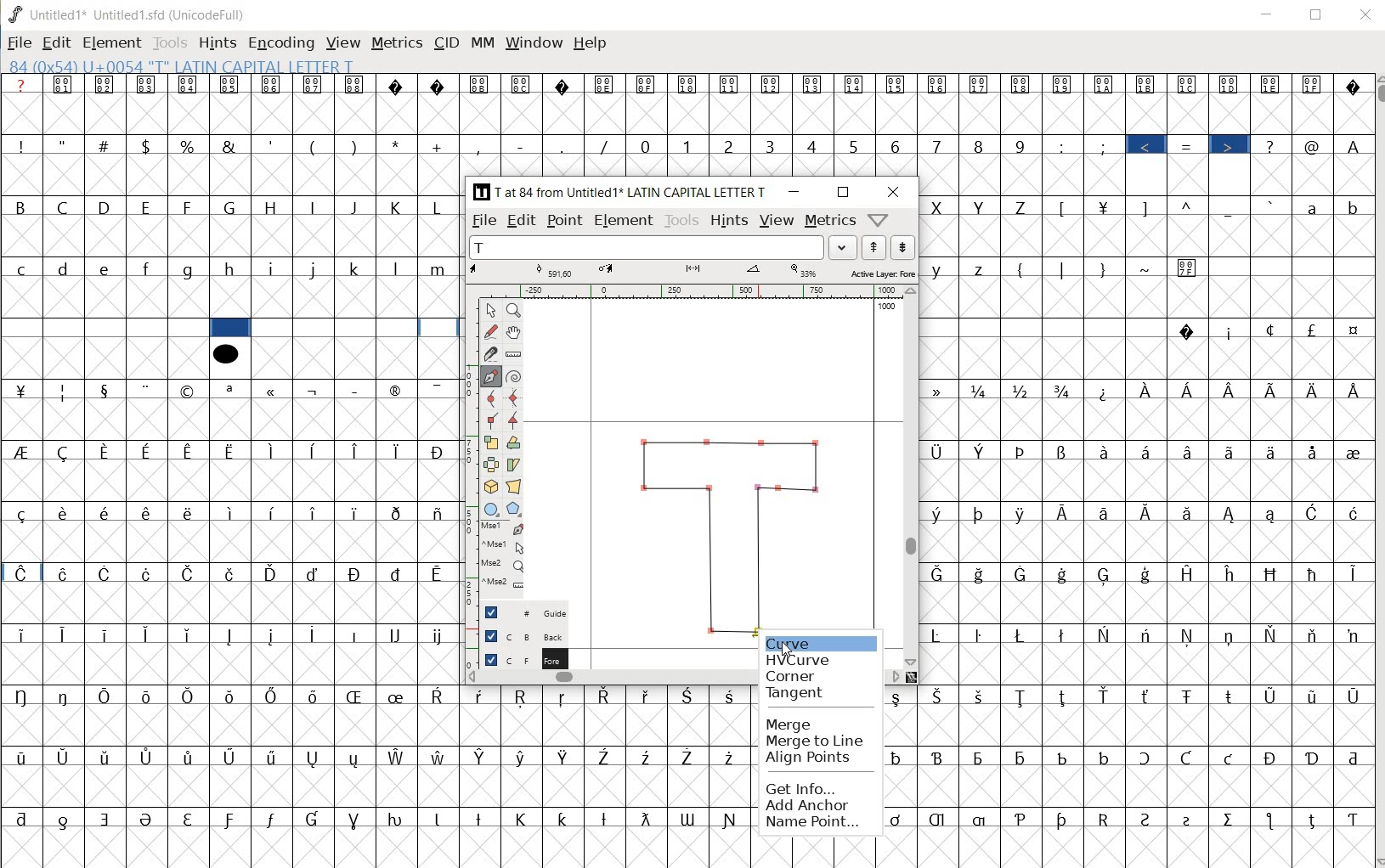  What do you see at coordinates (813, 758) in the screenshot?
I see `align points` at bounding box center [813, 758].